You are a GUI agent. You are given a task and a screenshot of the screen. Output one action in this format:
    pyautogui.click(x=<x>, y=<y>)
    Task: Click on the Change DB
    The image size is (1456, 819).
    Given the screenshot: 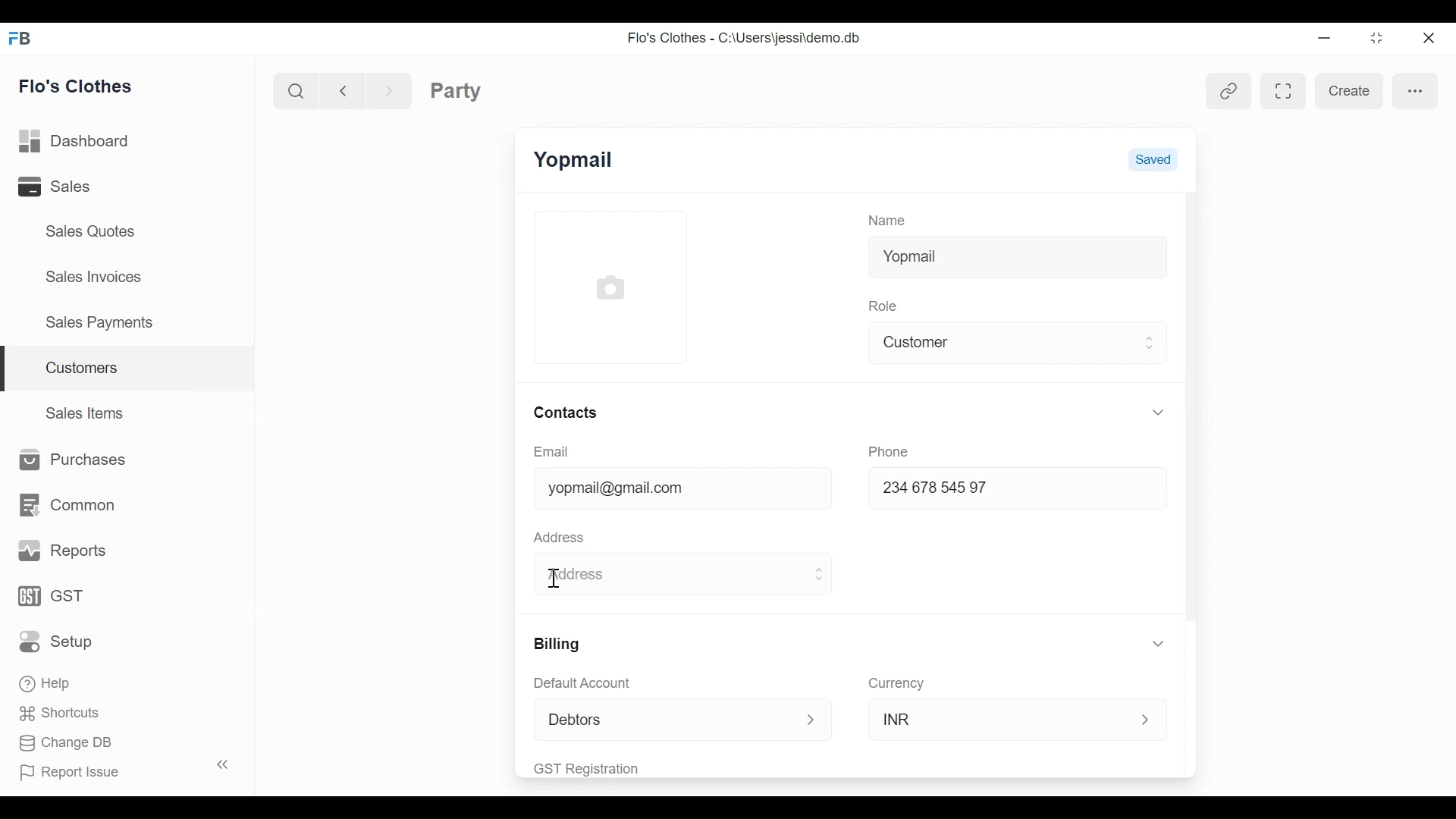 What is the action you would take?
    pyautogui.click(x=67, y=745)
    